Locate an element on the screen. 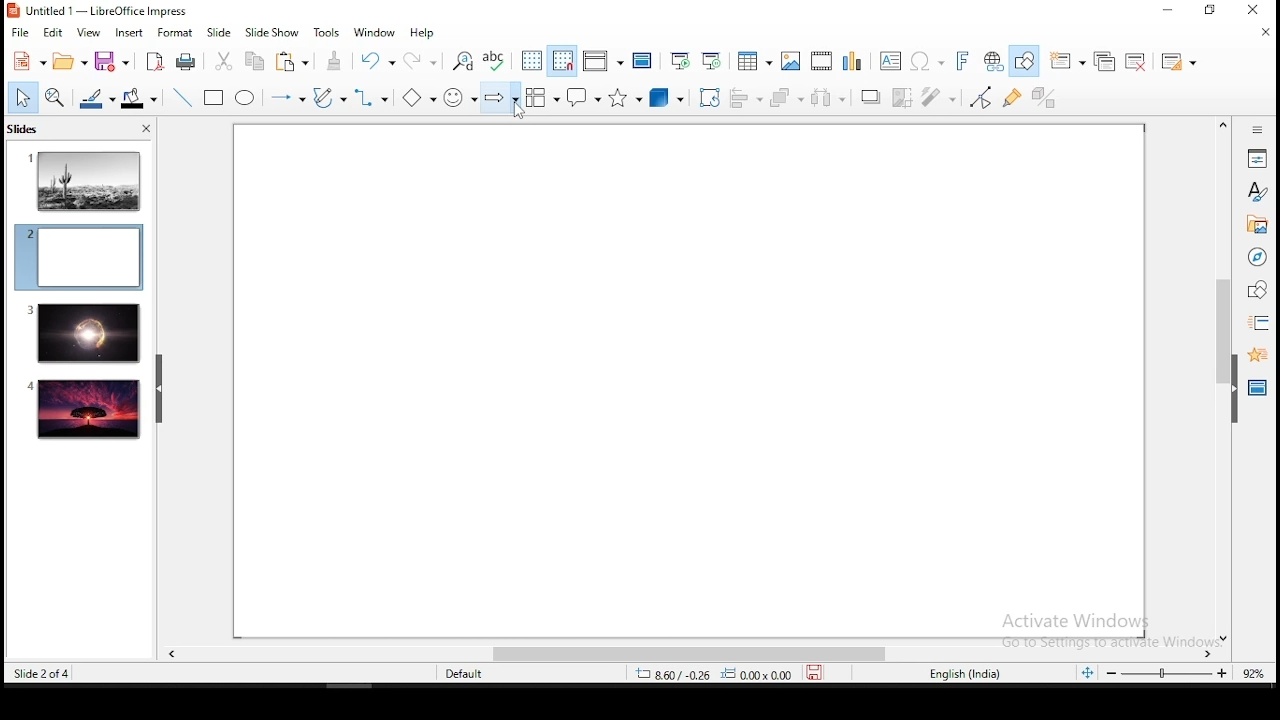 This screenshot has height=720, width=1280. crop tool is located at coordinates (710, 98).